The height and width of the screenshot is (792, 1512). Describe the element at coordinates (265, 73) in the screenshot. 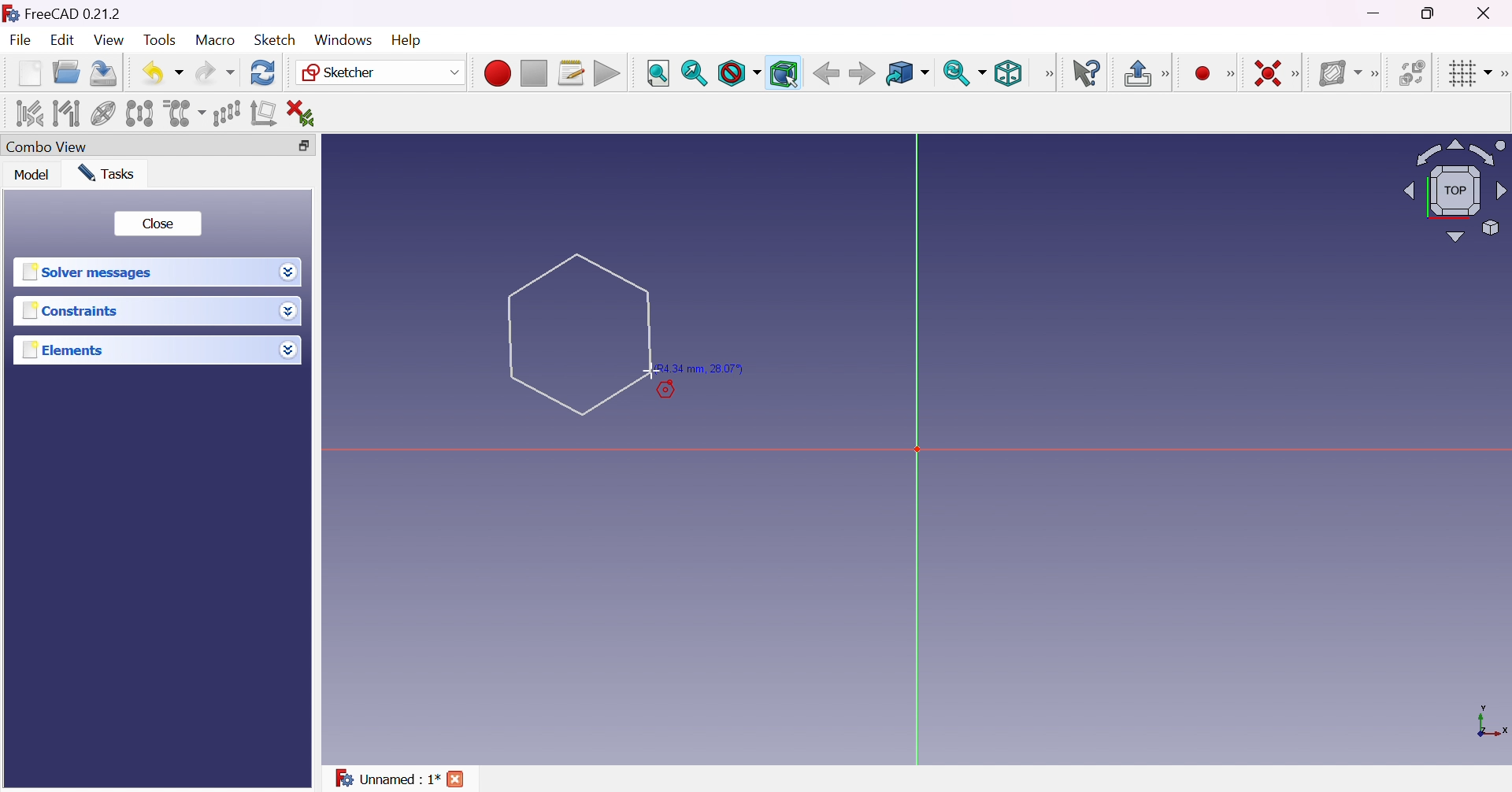

I see `Refresh` at that location.